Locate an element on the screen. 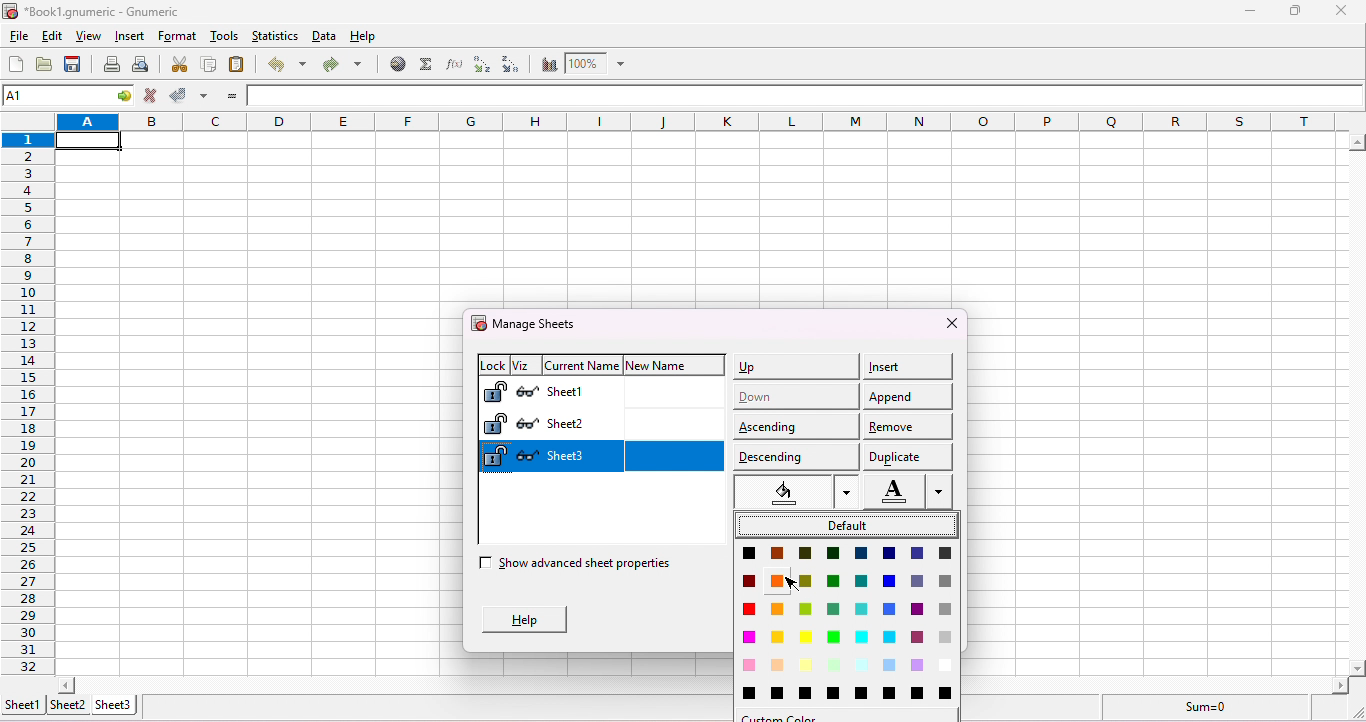  sort ascending order is located at coordinates (479, 63).